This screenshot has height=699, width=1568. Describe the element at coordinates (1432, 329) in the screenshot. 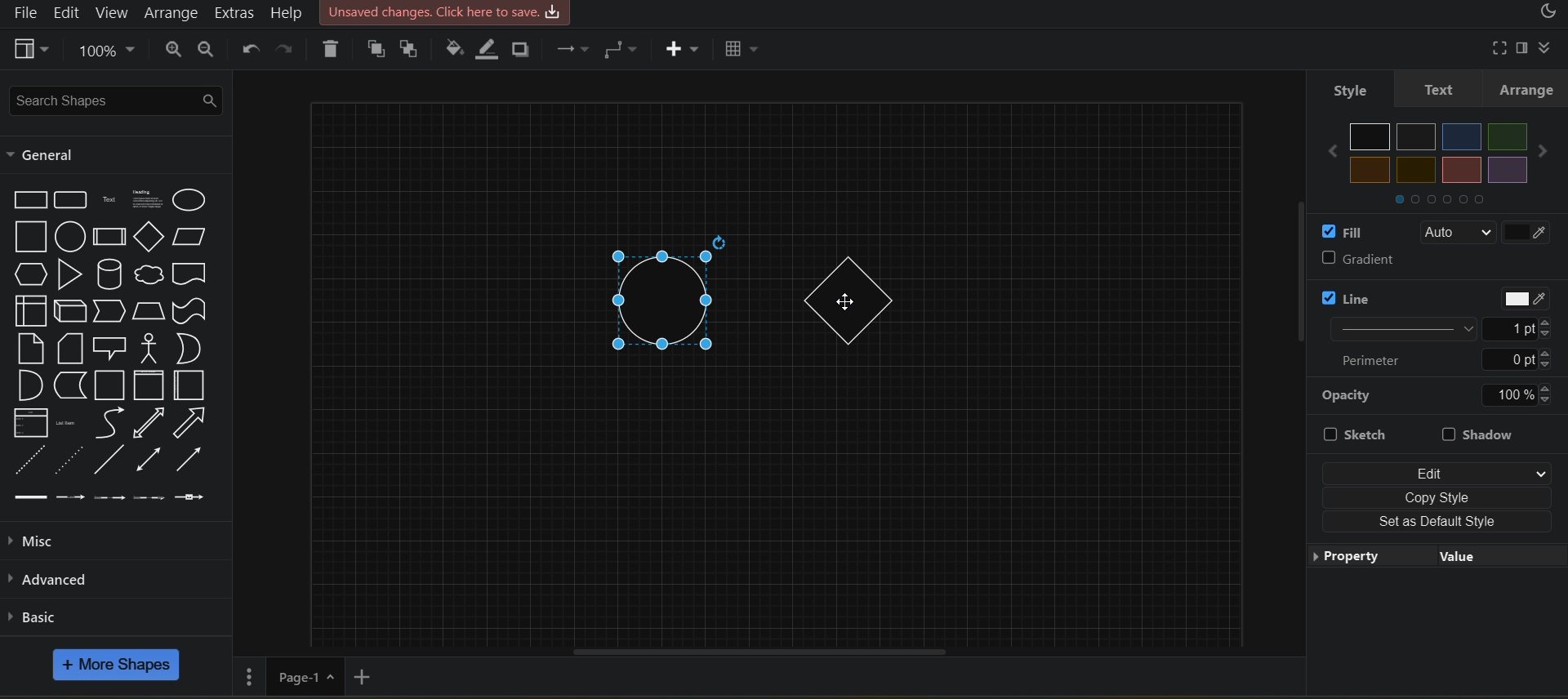

I see `Line width` at that location.